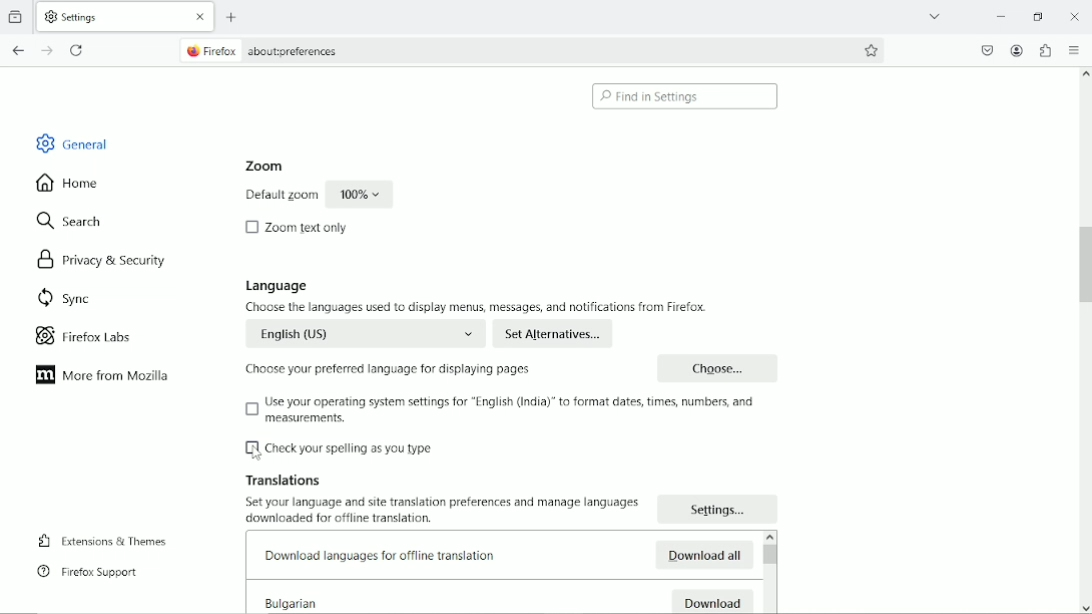 This screenshot has height=614, width=1092. Describe the element at coordinates (16, 15) in the screenshot. I see `view recent browsing` at that location.